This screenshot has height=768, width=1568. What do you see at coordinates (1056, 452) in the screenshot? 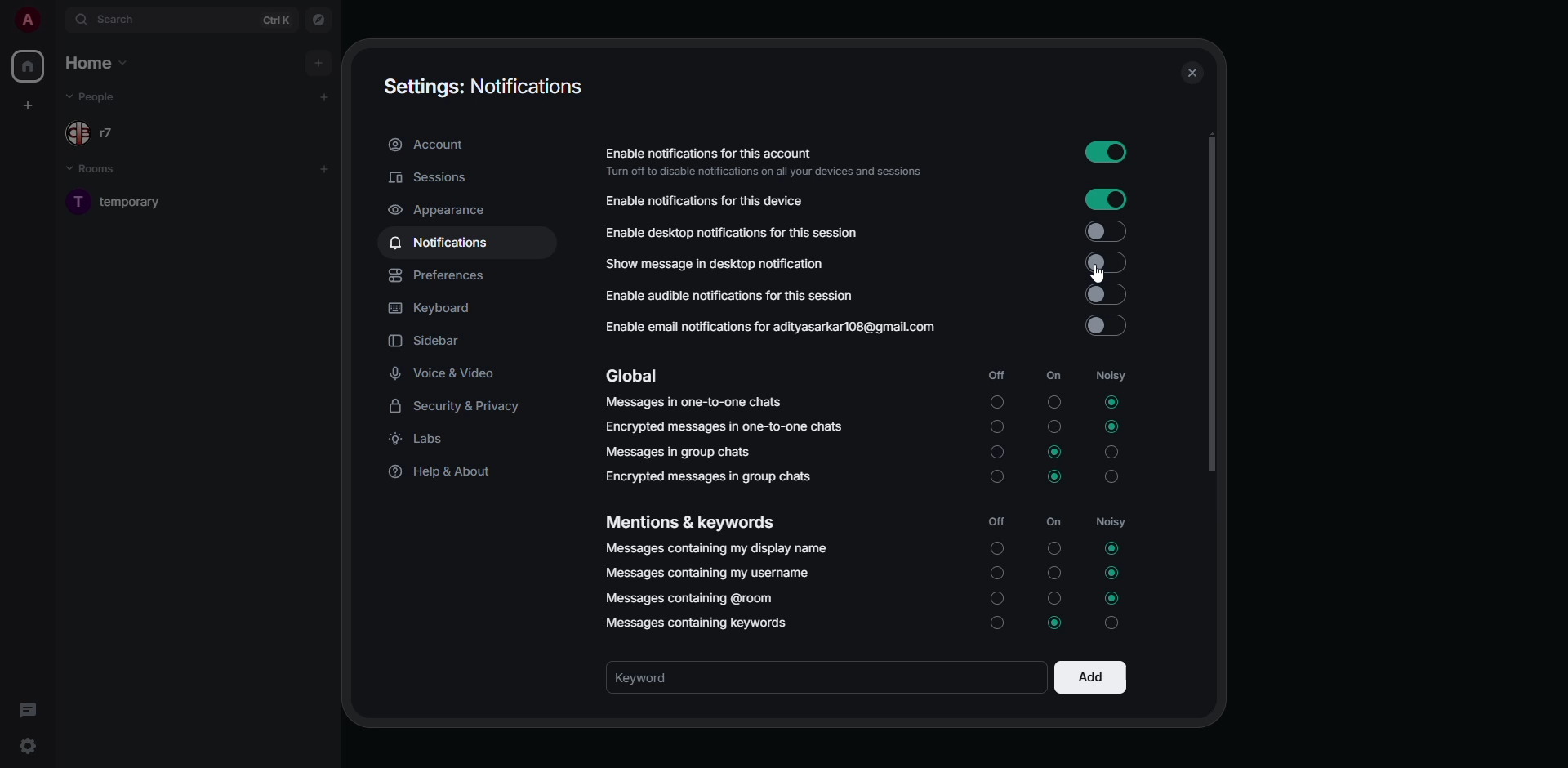
I see `selected` at bounding box center [1056, 452].